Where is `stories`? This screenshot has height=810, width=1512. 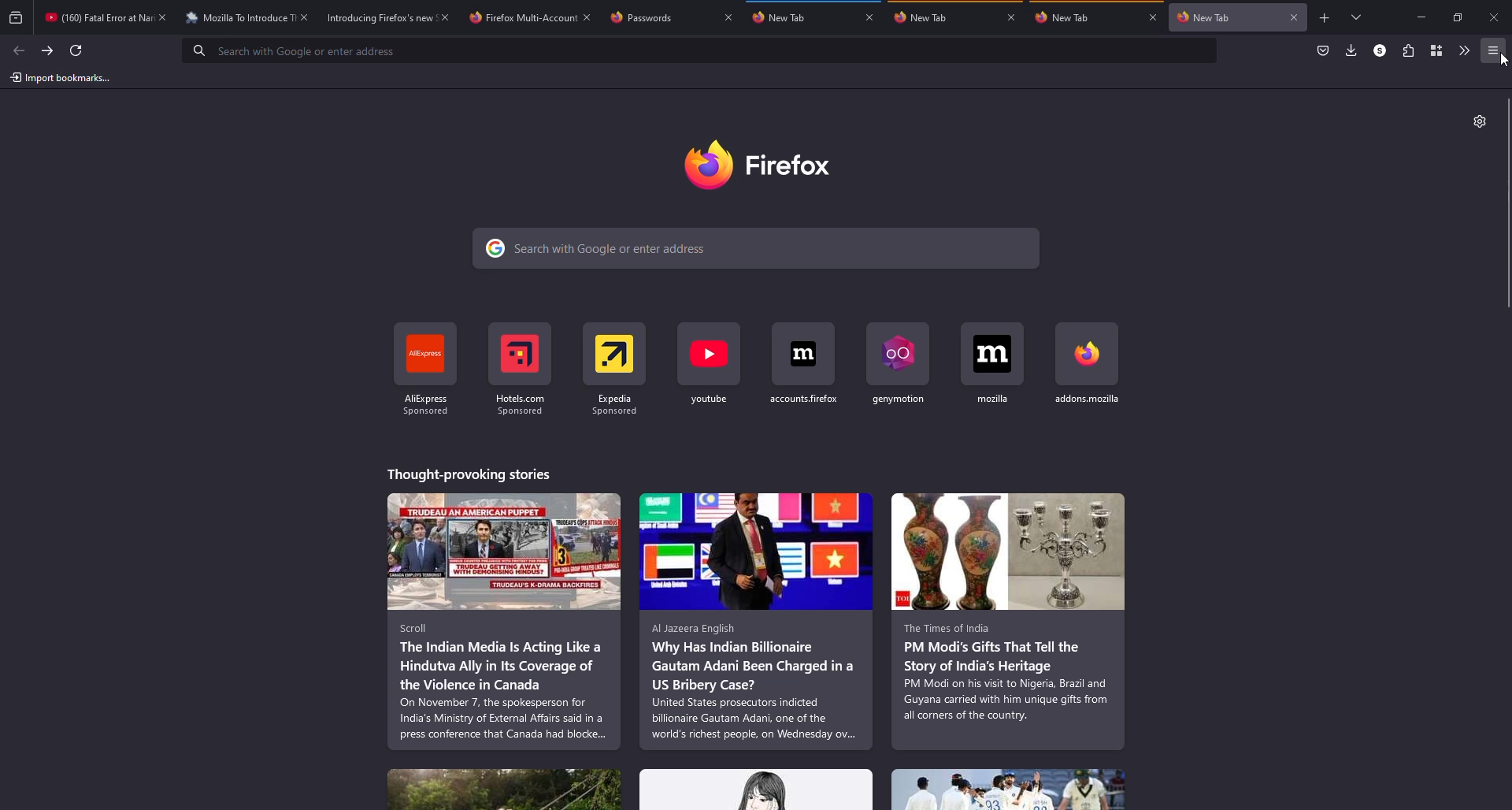 stories is located at coordinates (471, 474).